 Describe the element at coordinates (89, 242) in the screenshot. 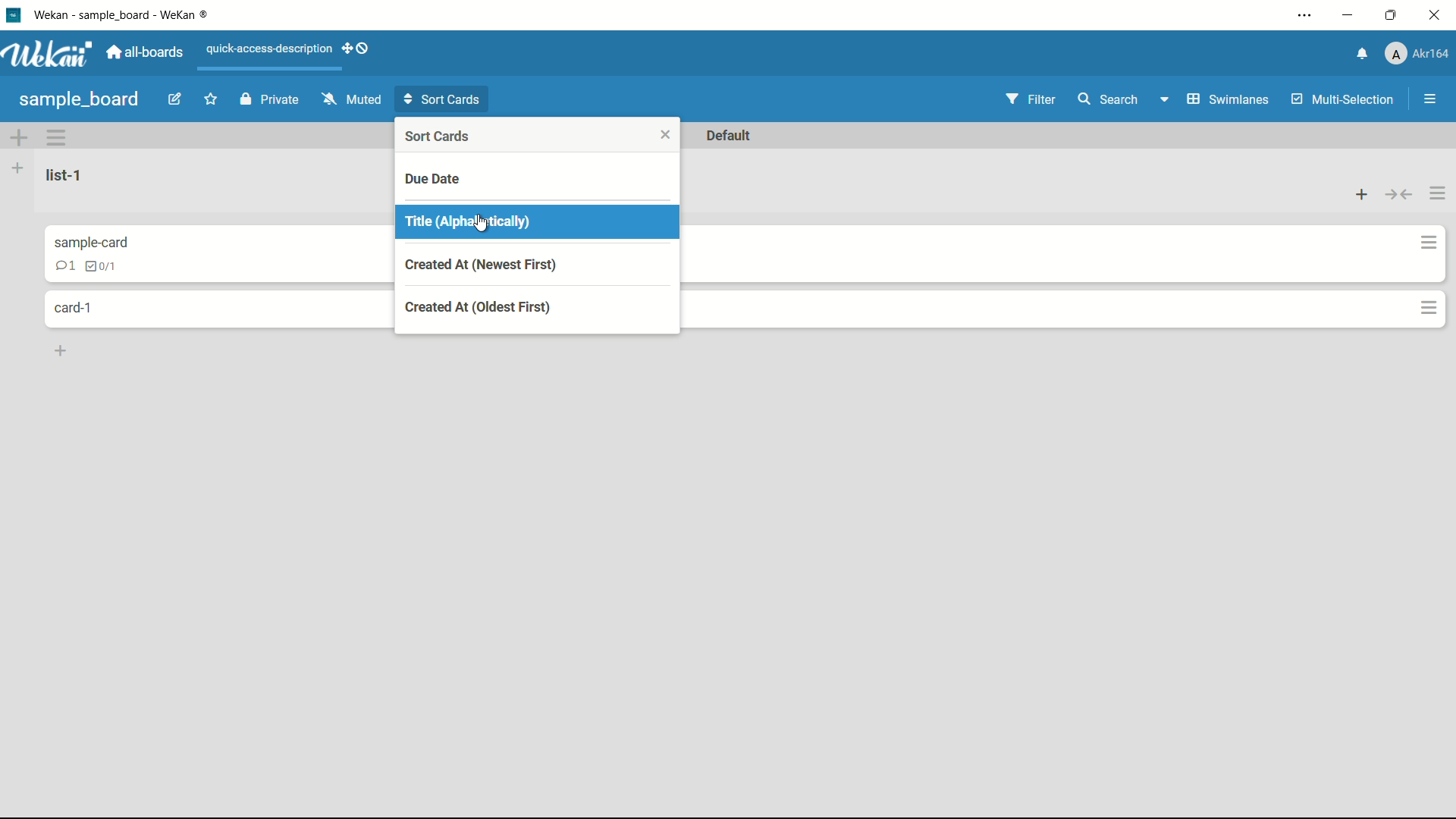

I see `card name` at that location.